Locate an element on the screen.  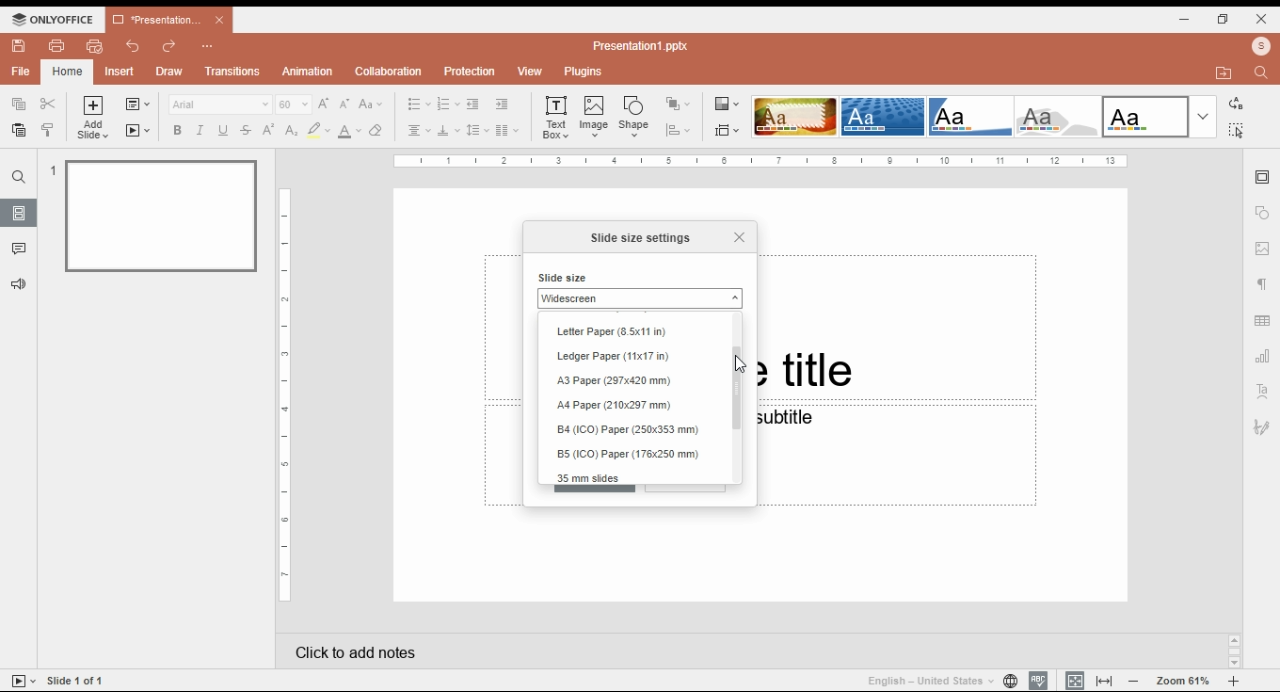
slide them option is located at coordinates (972, 116).